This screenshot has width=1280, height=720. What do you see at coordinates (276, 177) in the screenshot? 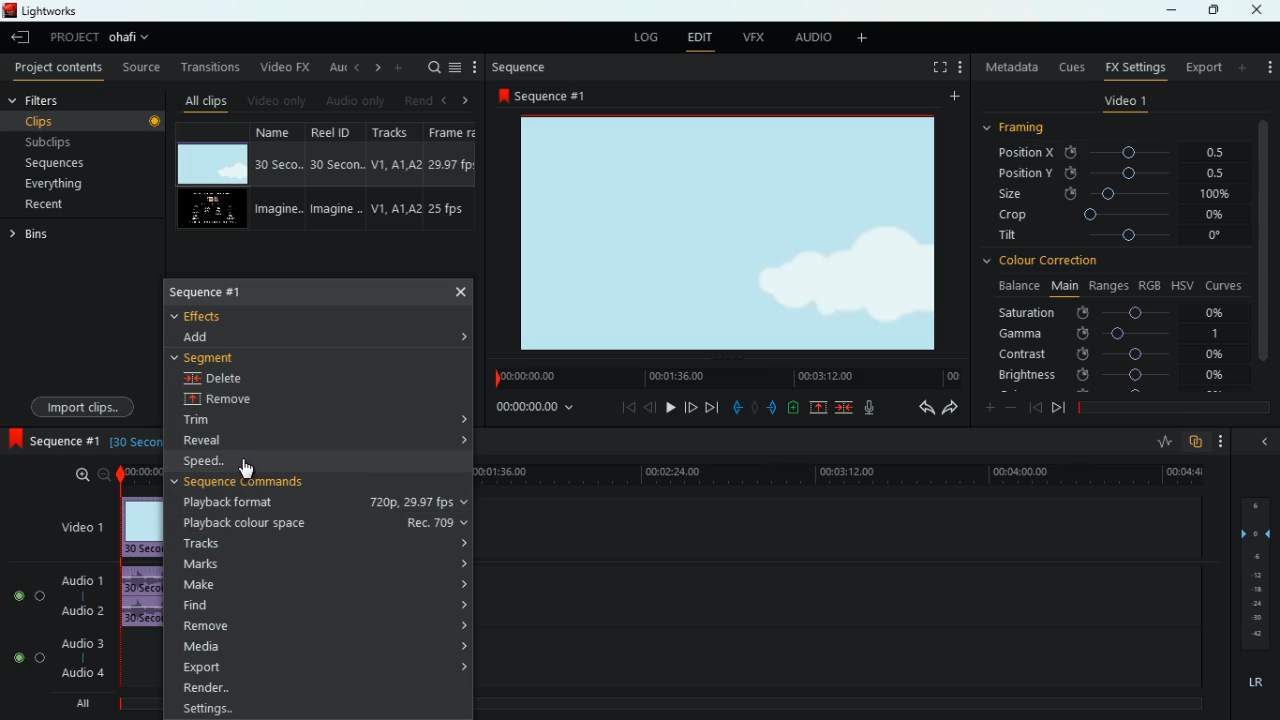
I see `name` at bounding box center [276, 177].